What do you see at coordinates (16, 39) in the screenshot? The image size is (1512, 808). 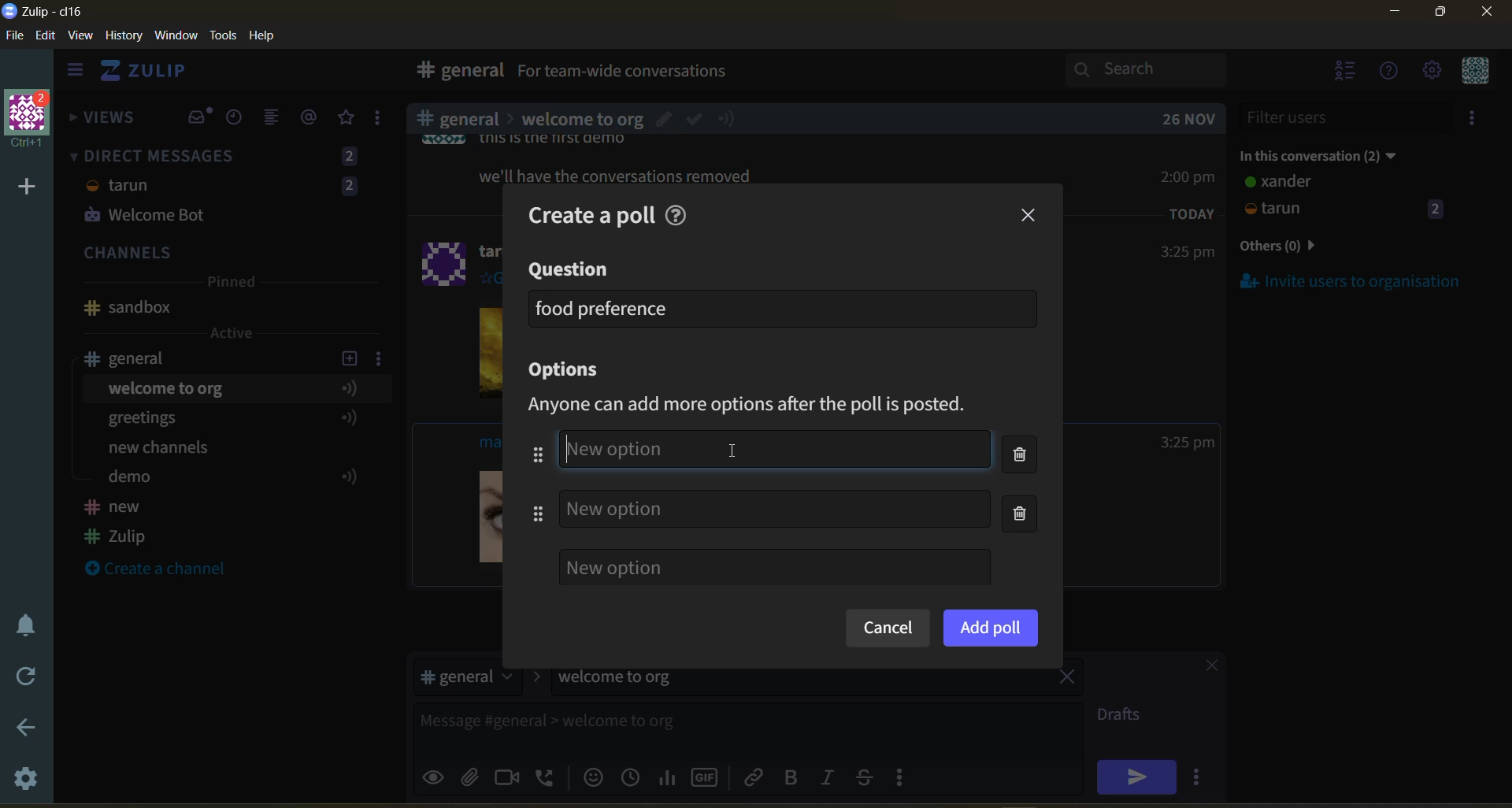 I see `file` at bounding box center [16, 39].